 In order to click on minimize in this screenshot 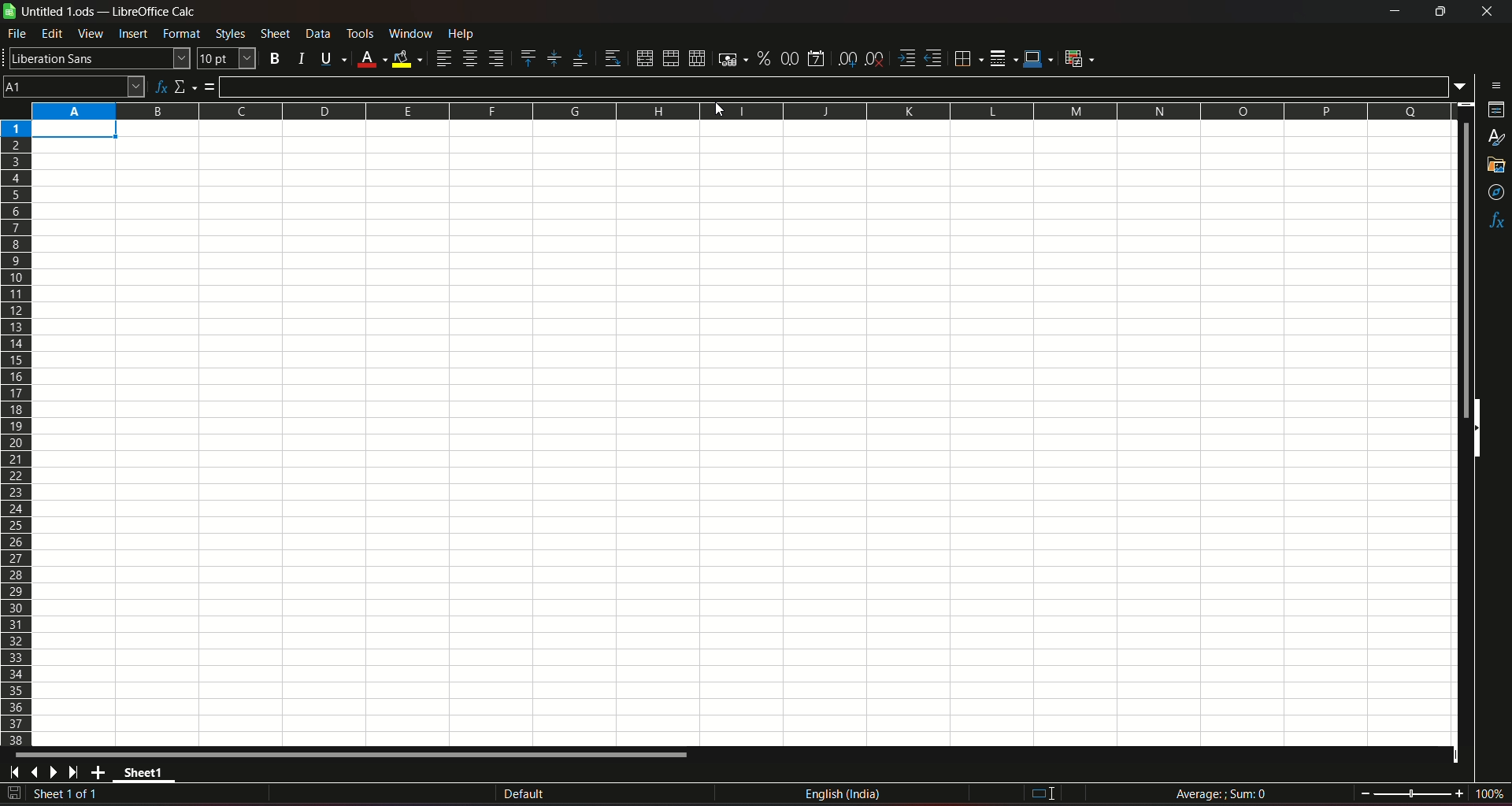, I will do `click(1393, 12)`.